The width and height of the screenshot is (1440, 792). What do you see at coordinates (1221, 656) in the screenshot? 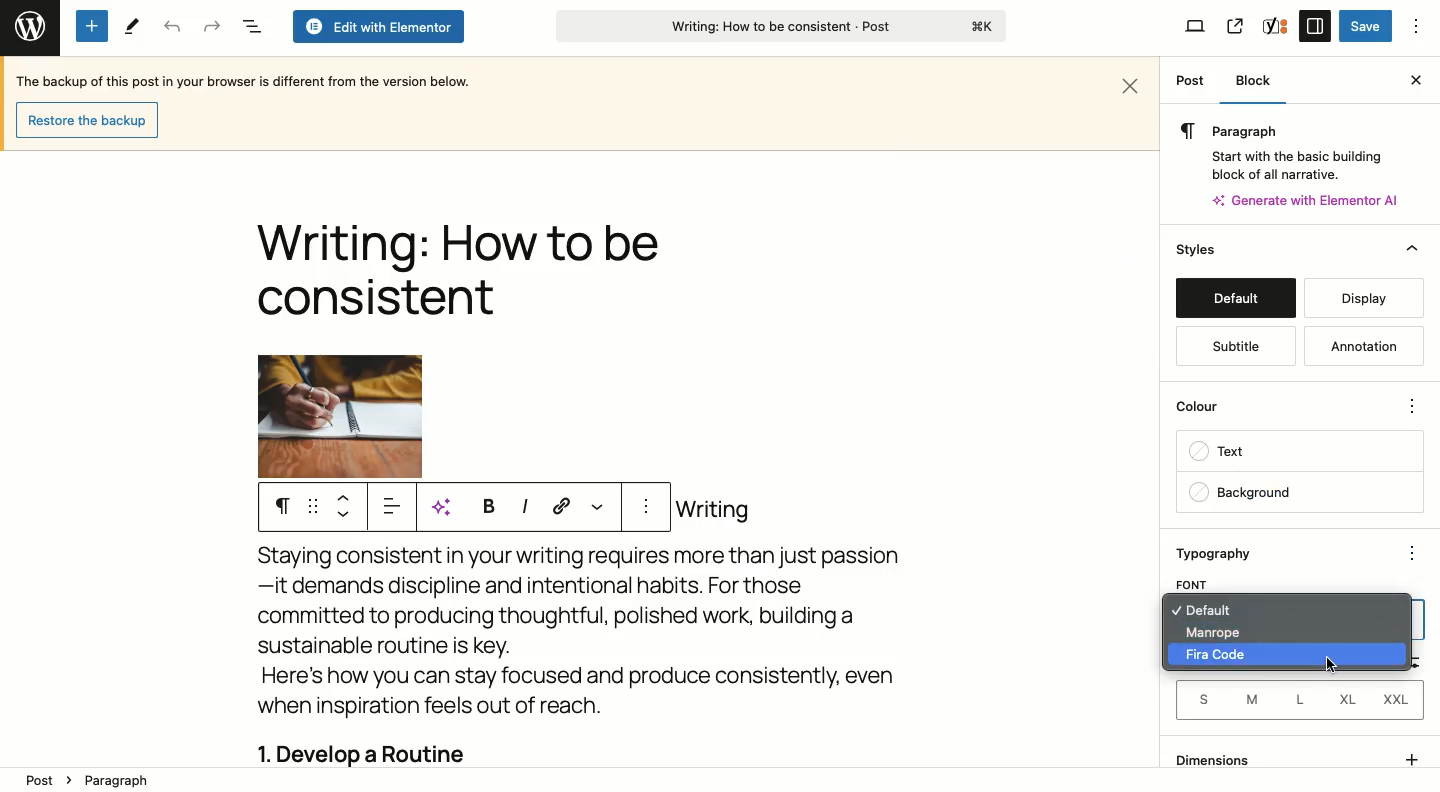
I see `Fira code` at bounding box center [1221, 656].